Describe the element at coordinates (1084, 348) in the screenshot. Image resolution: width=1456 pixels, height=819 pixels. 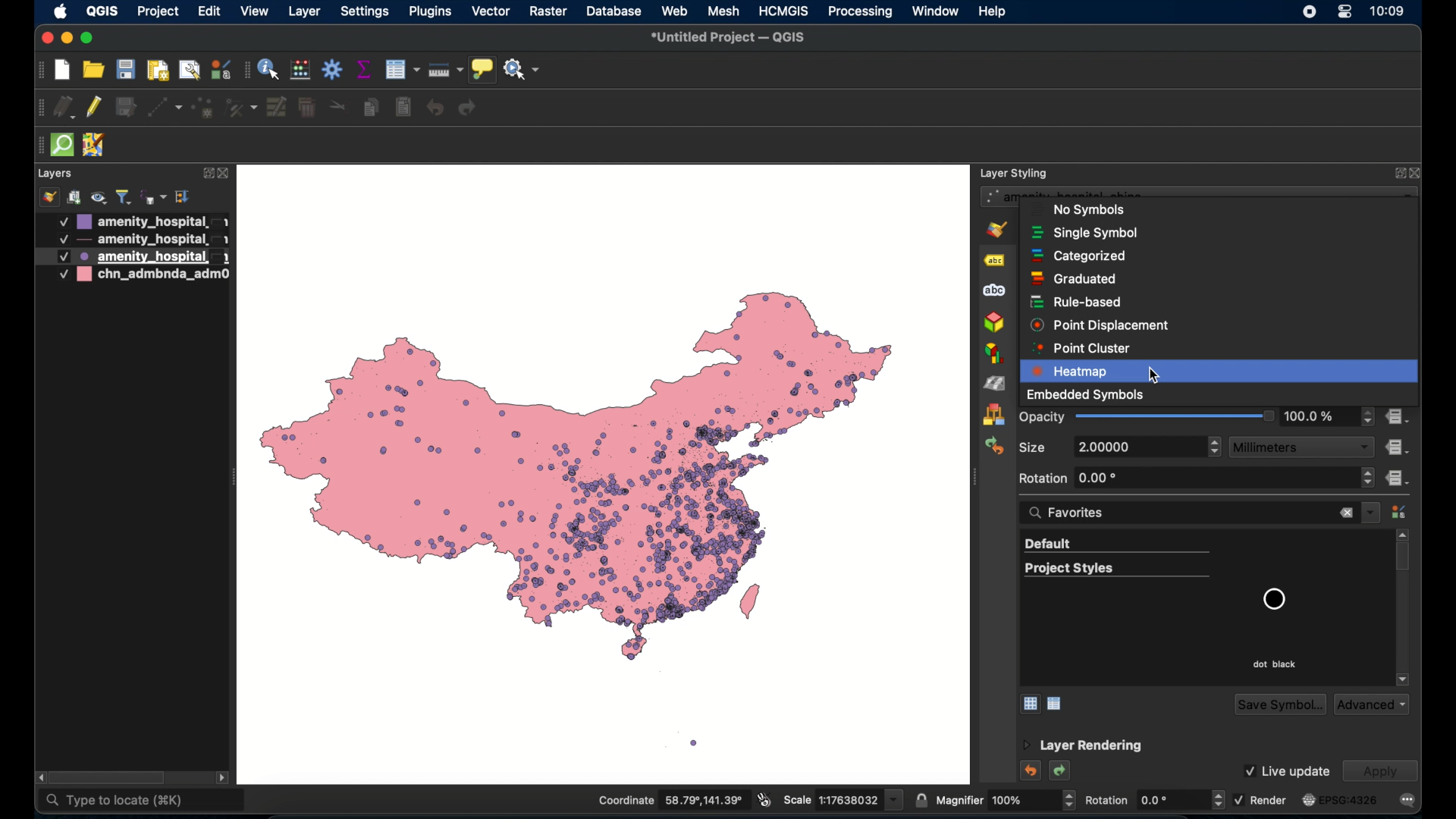
I see `point cluster` at that location.